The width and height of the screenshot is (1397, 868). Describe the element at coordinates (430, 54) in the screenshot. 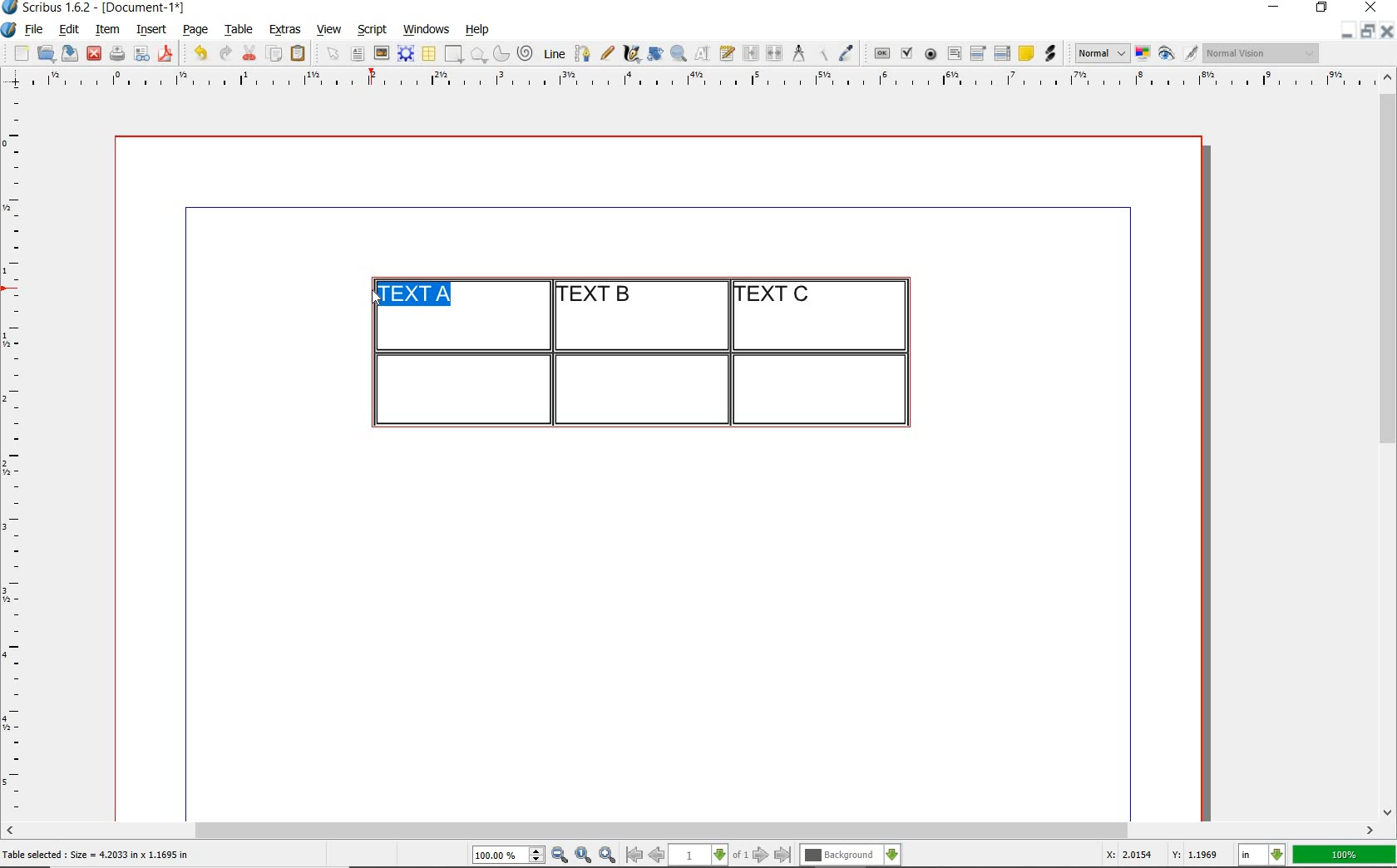

I see `table` at that location.